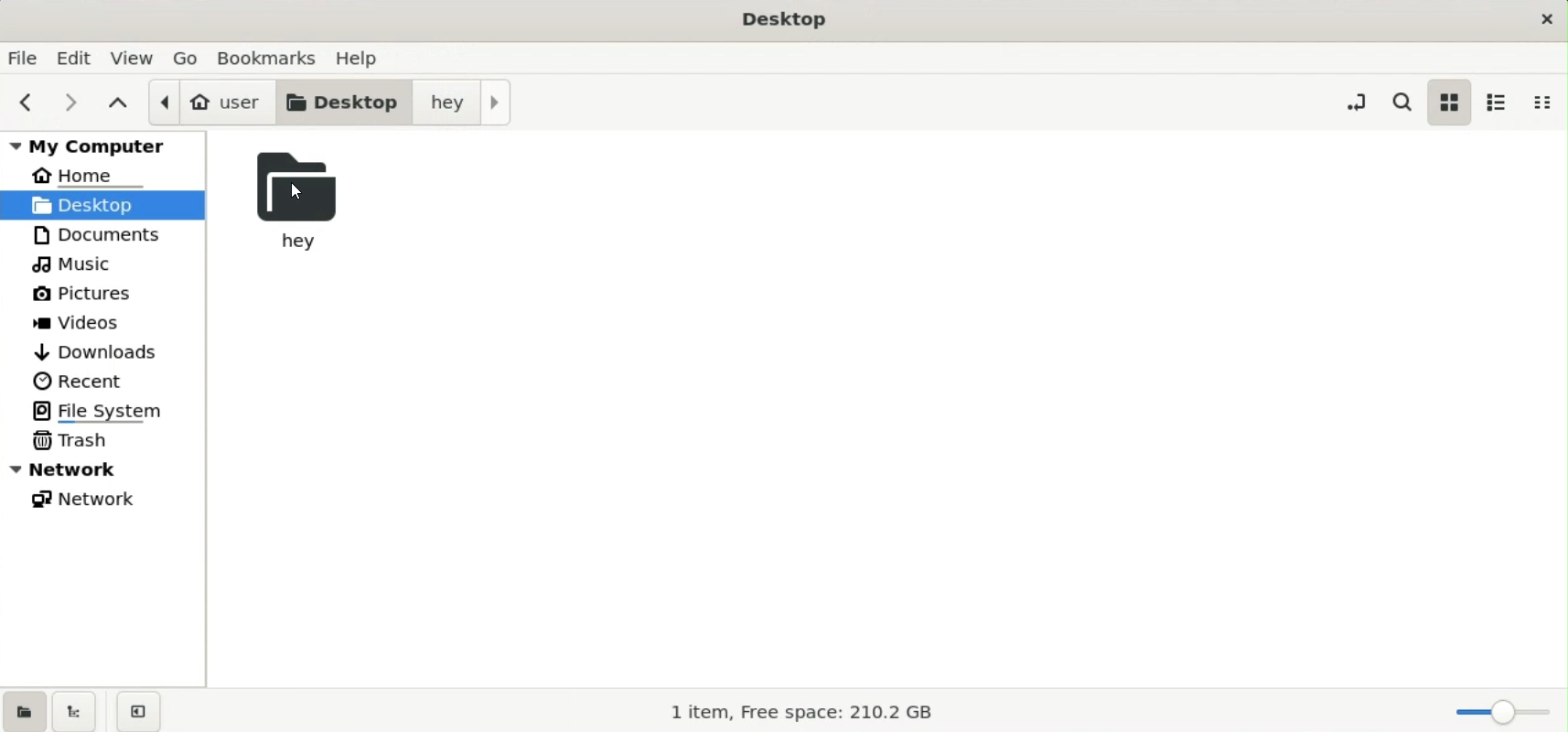 Image resolution: width=1568 pixels, height=732 pixels. I want to click on title, so click(786, 20).